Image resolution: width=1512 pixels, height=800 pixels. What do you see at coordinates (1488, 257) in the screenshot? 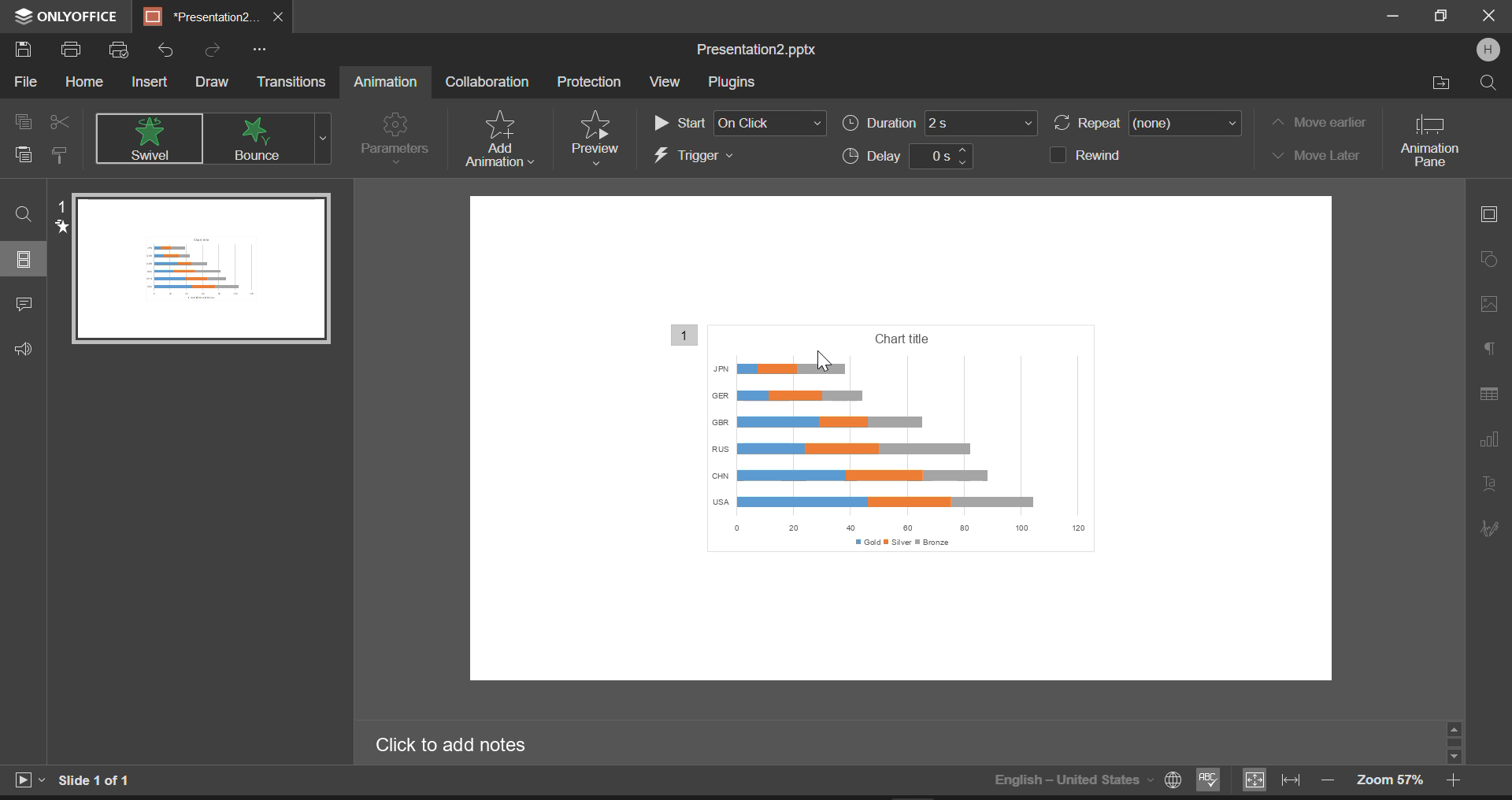
I see `Shape Settings` at bounding box center [1488, 257].